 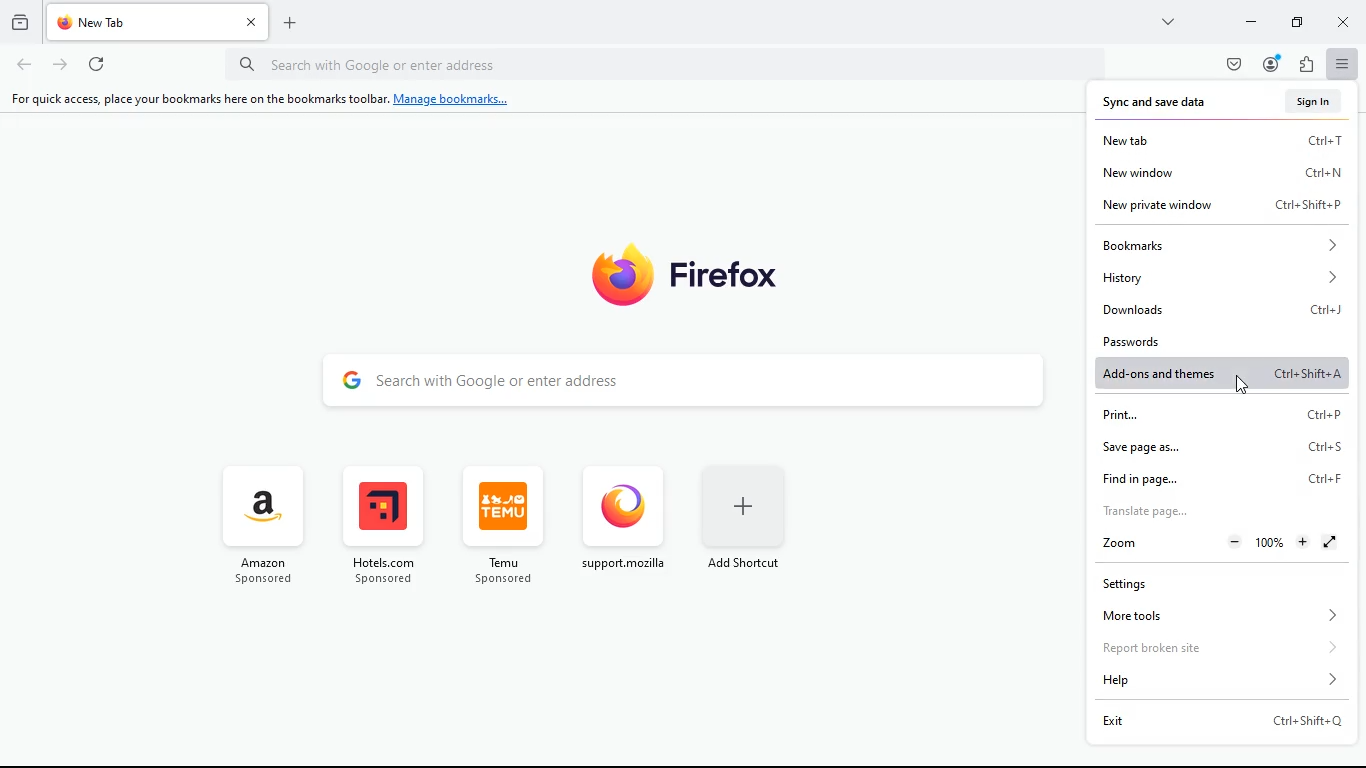 What do you see at coordinates (269, 527) in the screenshot?
I see `amazon` at bounding box center [269, 527].